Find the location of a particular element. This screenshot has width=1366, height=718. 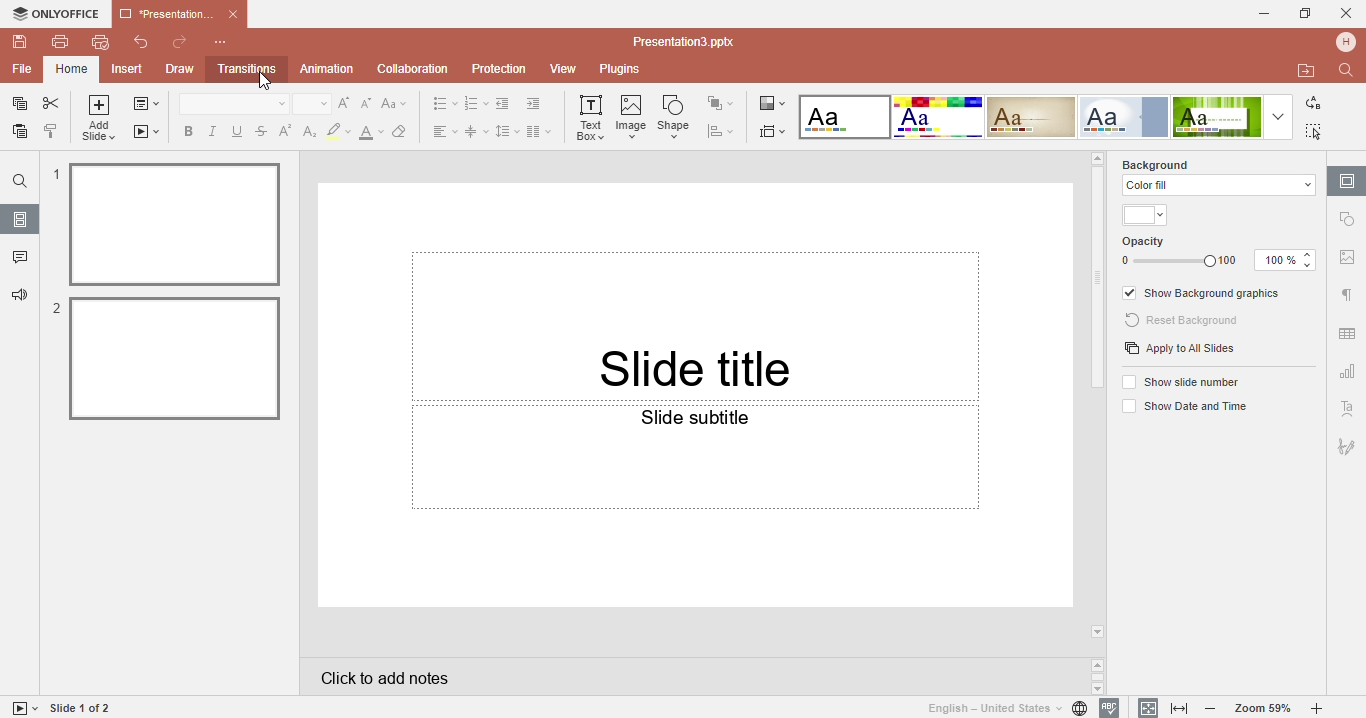

arrow down is located at coordinates (1099, 632).